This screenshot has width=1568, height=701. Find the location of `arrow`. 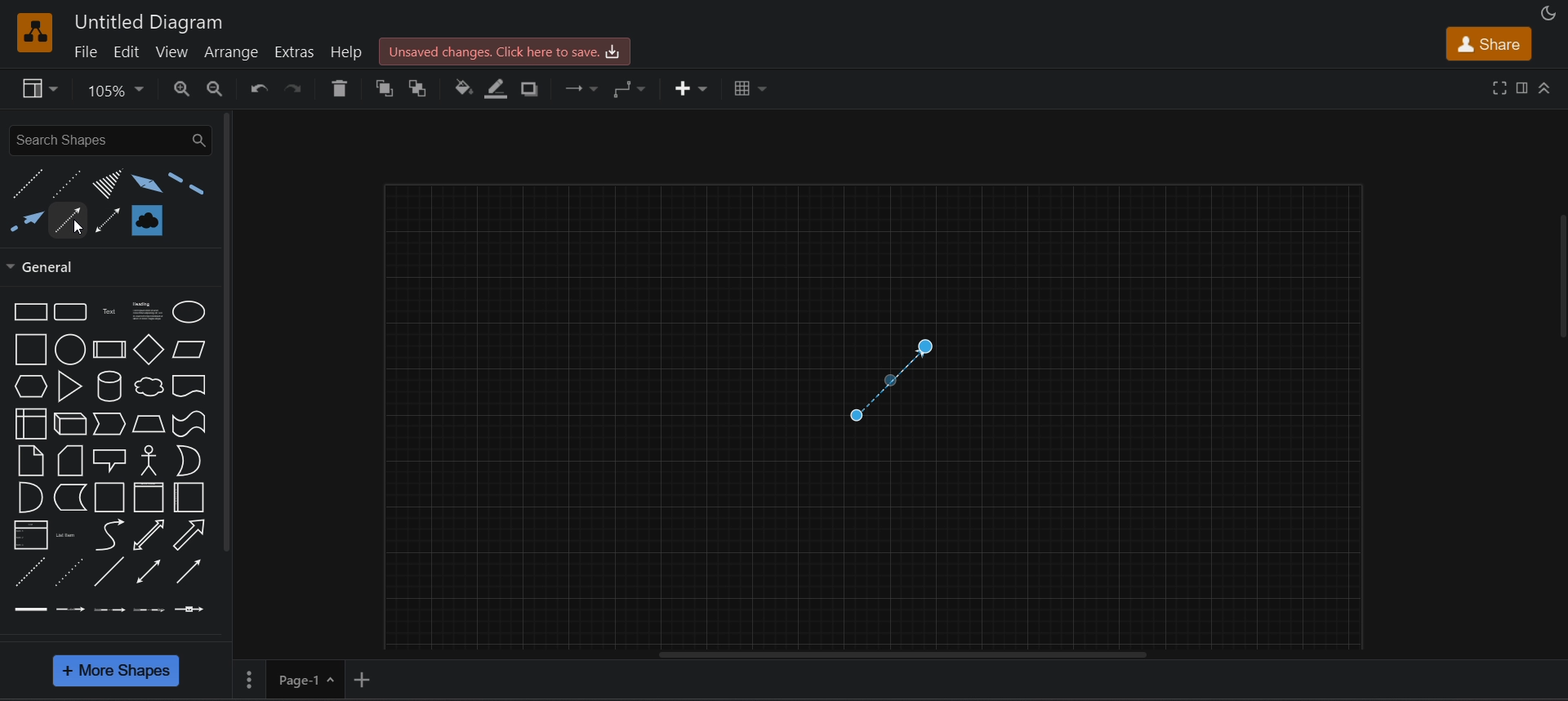

arrow is located at coordinates (69, 216).